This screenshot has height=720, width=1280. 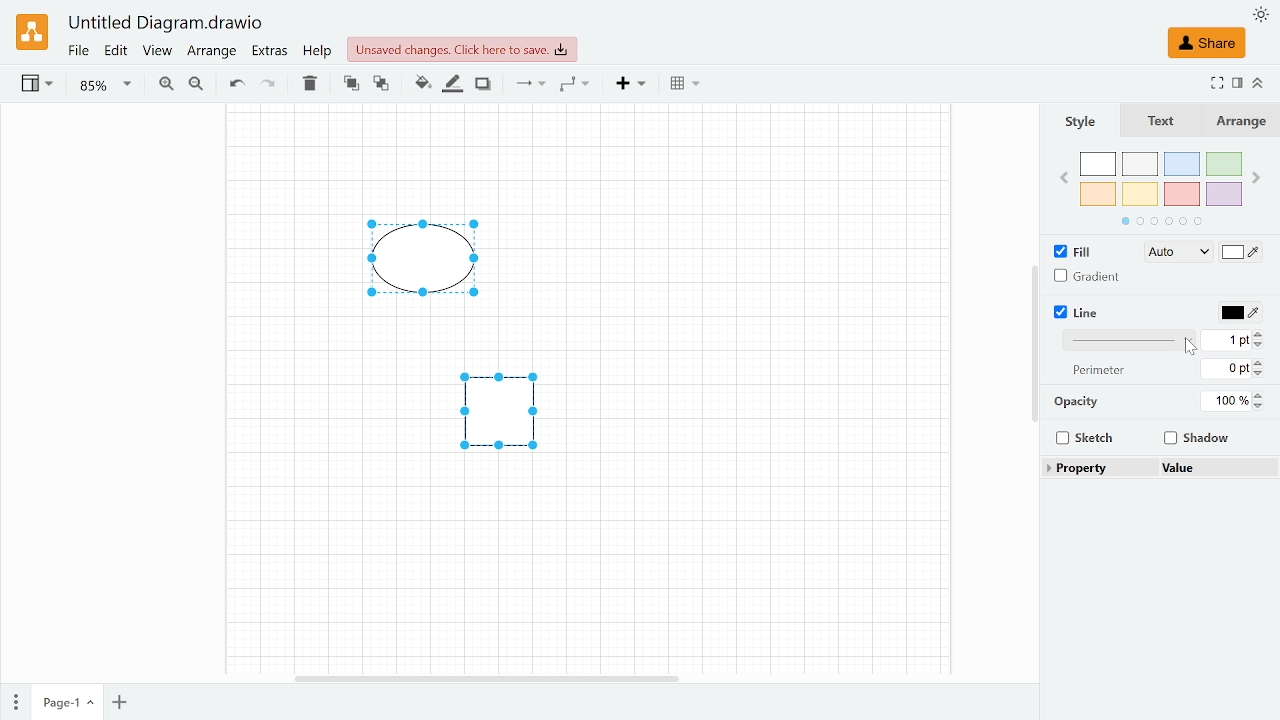 I want to click on Connection, so click(x=529, y=85).